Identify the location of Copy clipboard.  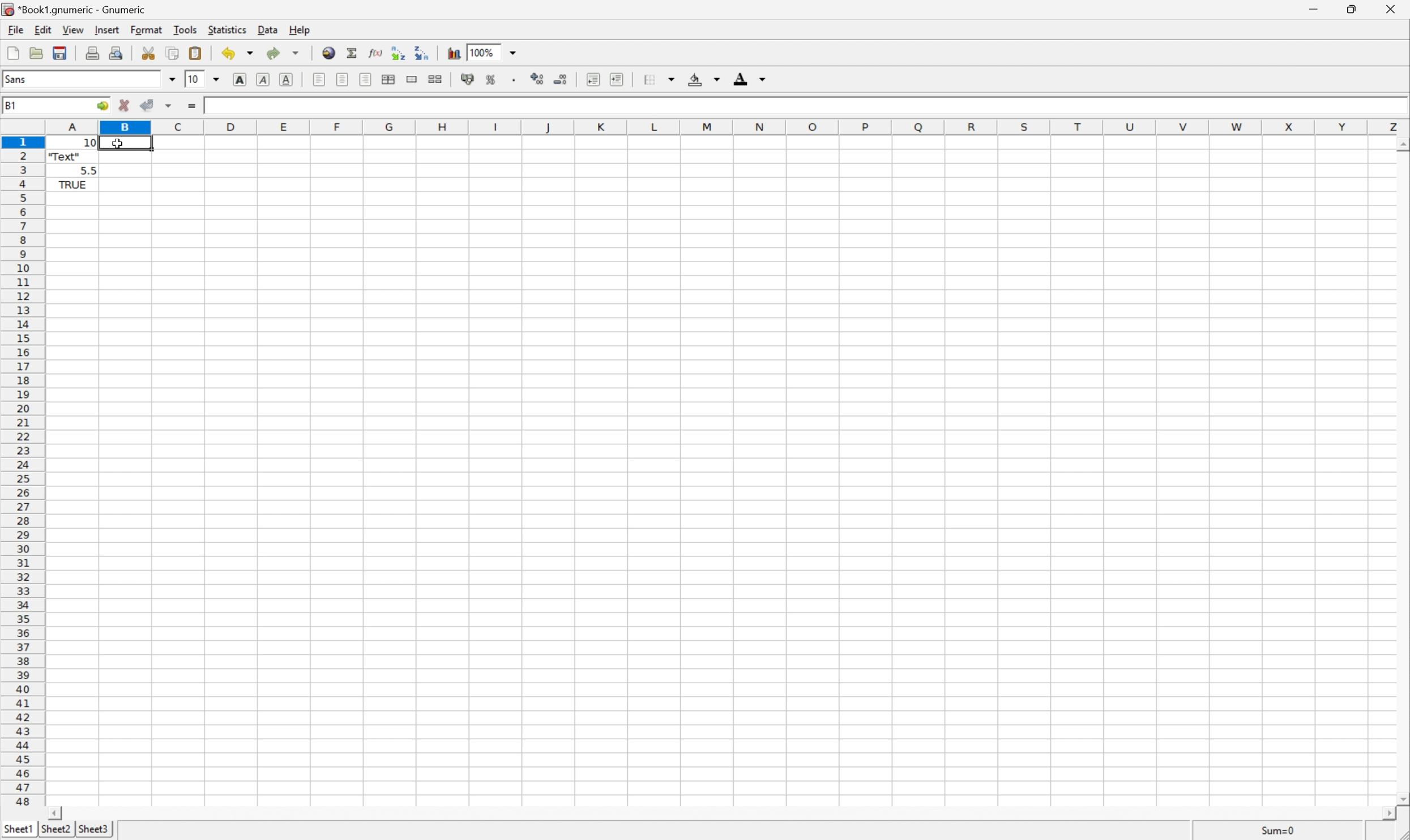
(173, 53).